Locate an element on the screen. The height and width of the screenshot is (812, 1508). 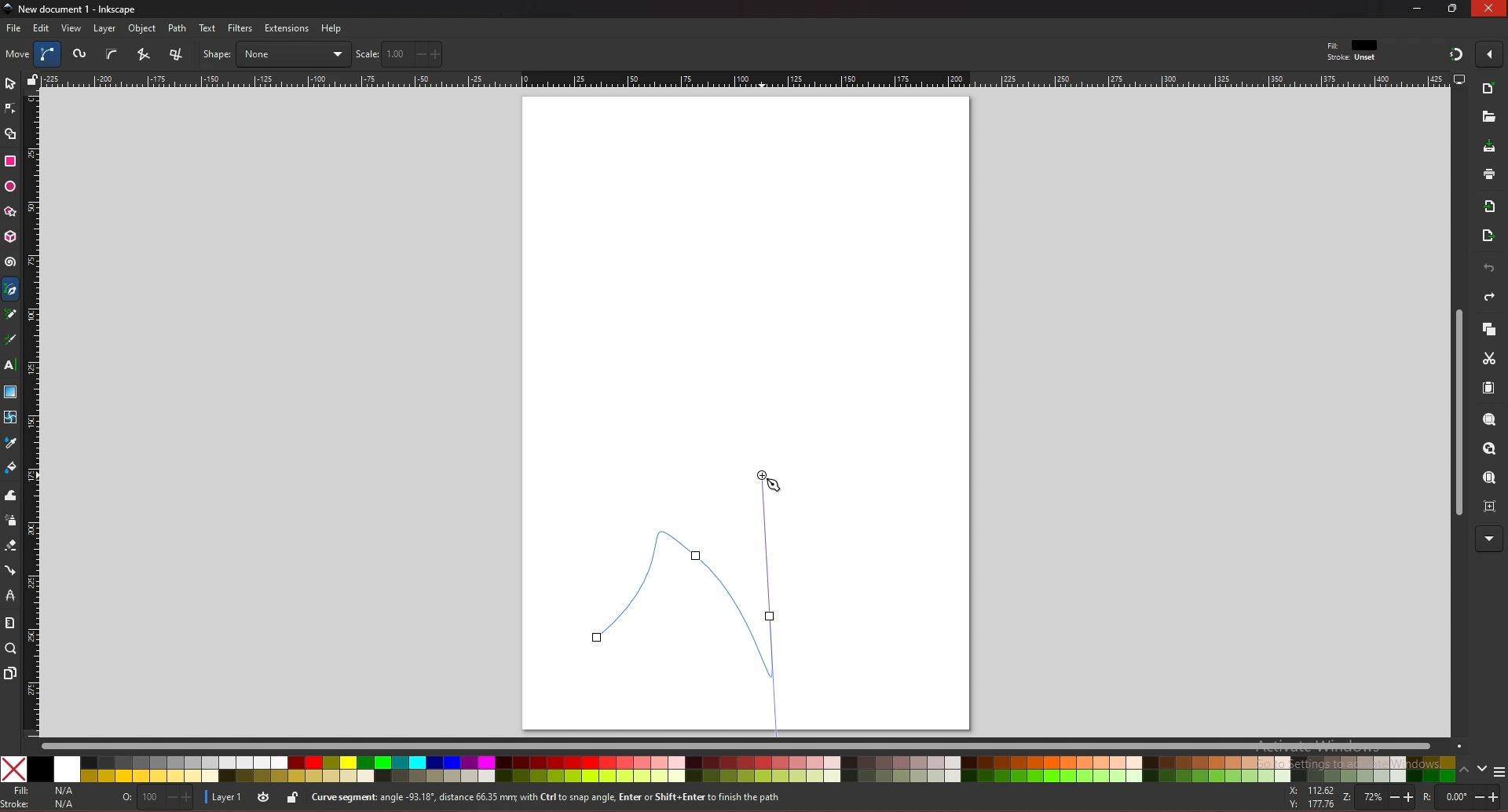
save is located at coordinates (1490, 148).